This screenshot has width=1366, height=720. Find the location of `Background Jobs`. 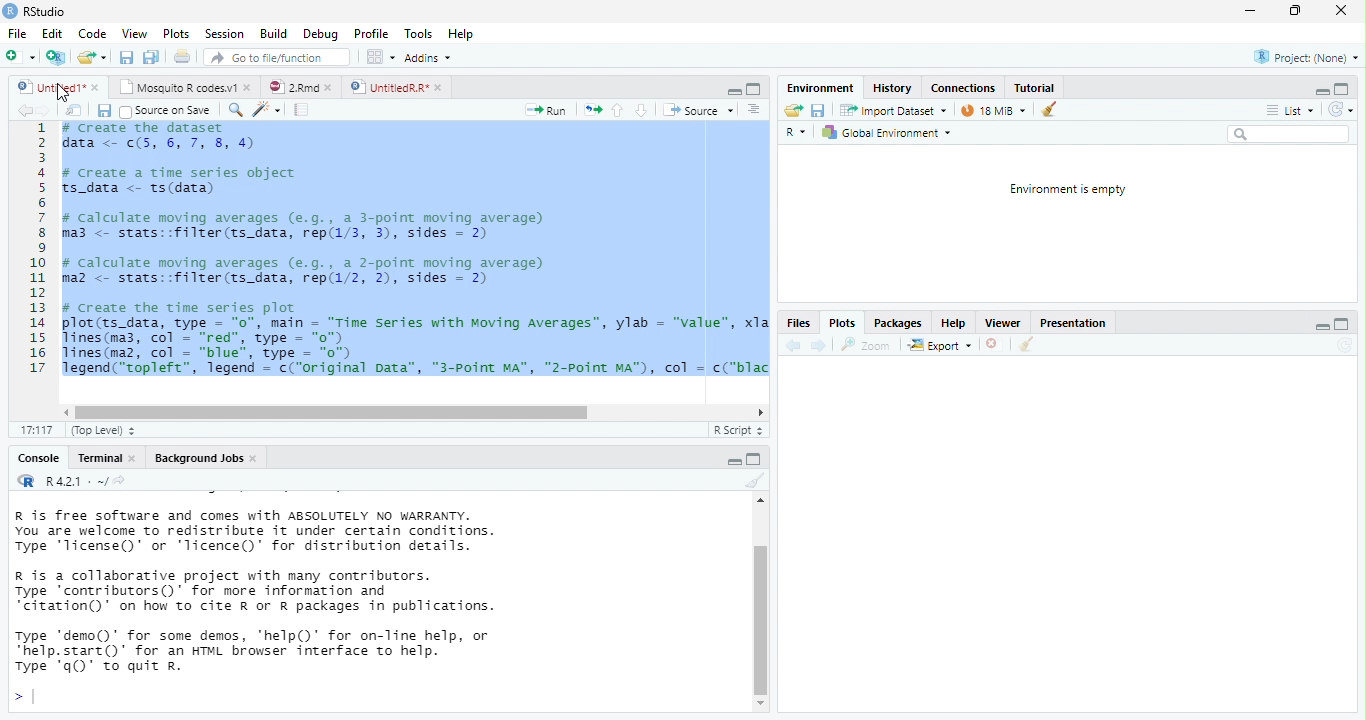

Background Jobs is located at coordinates (197, 458).